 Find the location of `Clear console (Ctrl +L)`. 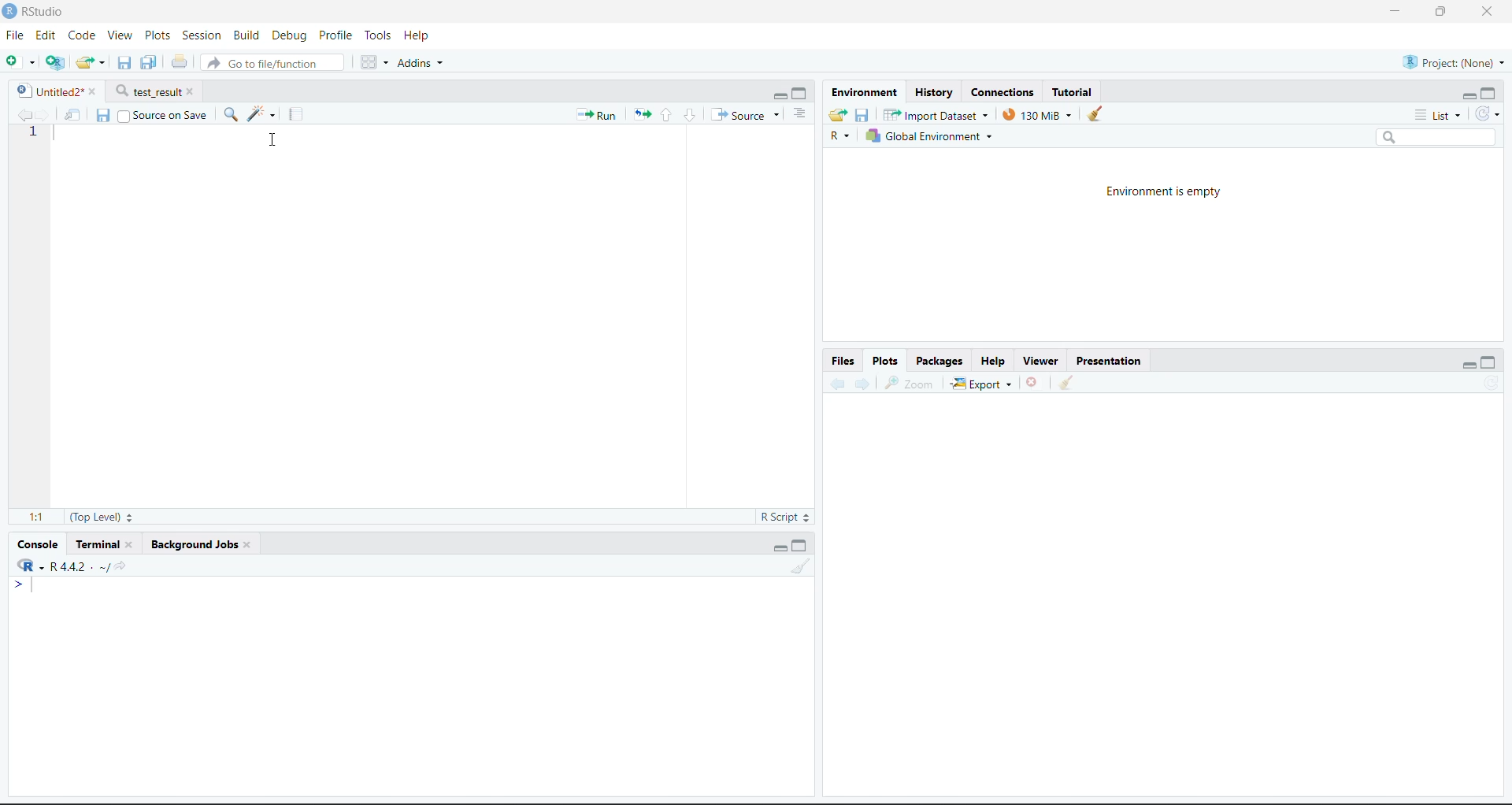

Clear console (Ctrl +L) is located at coordinates (798, 565).